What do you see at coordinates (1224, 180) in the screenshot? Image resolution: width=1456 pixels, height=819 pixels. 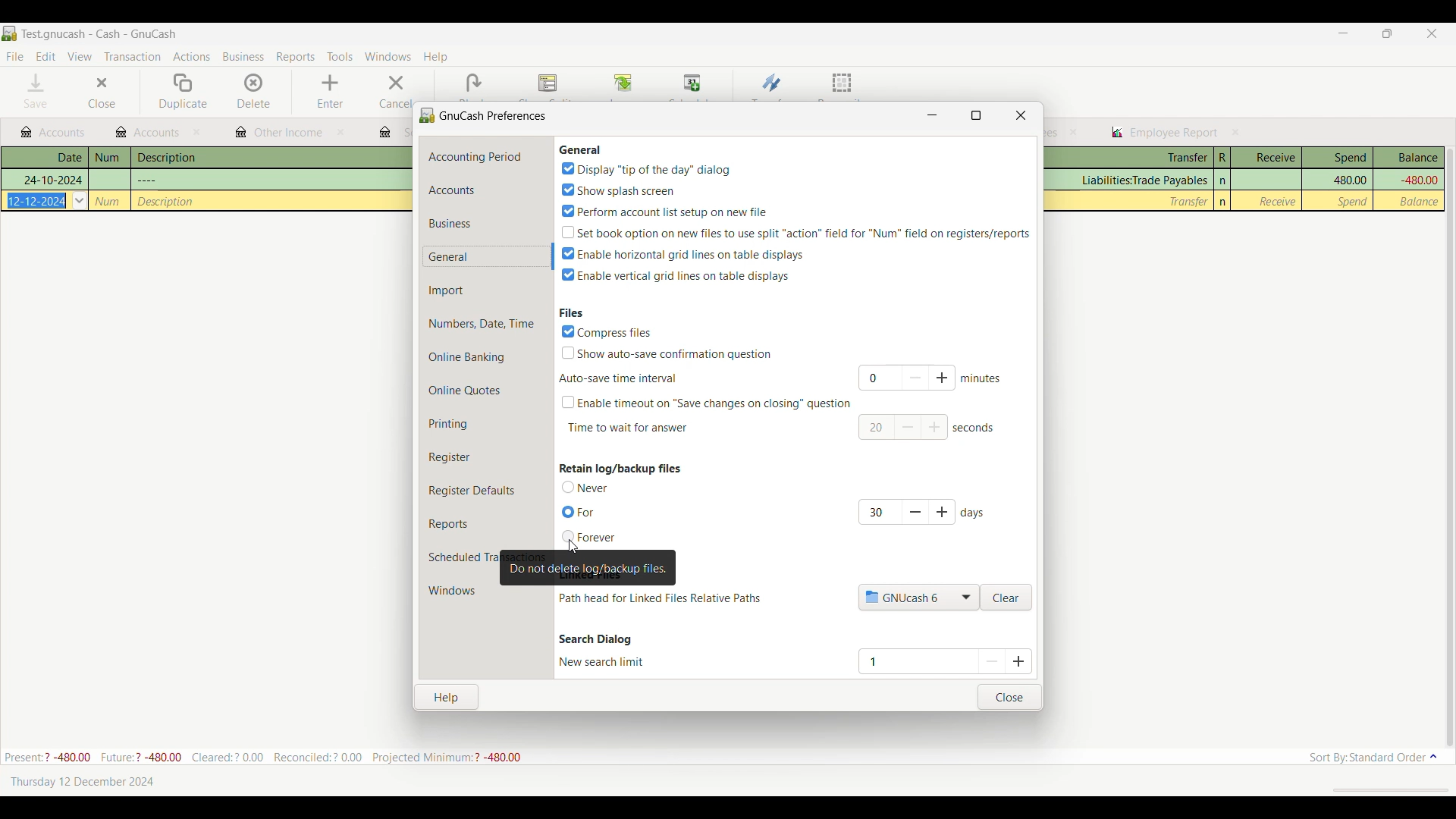 I see `n` at bounding box center [1224, 180].